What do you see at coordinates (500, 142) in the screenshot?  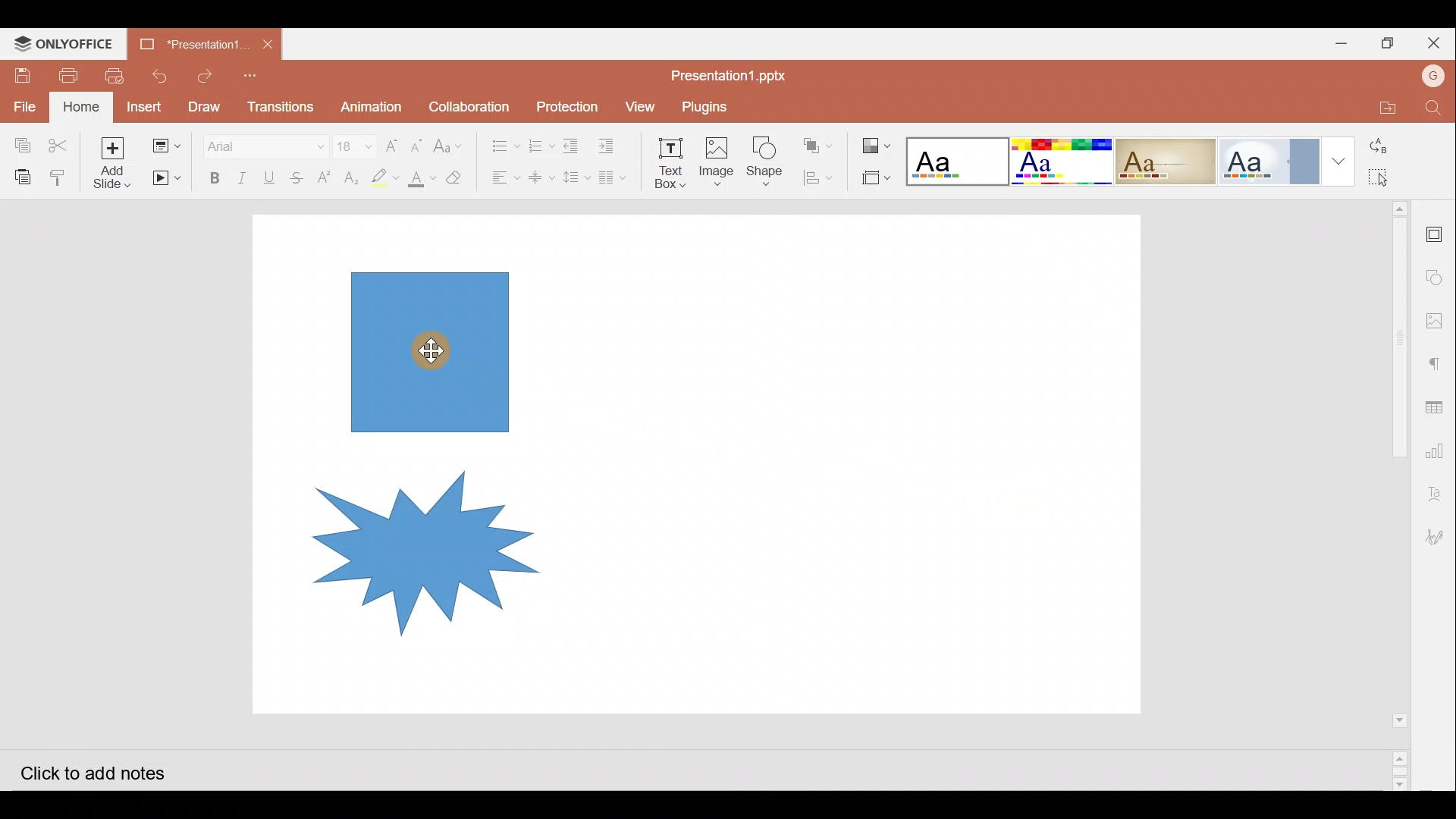 I see `Bullets` at bounding box center [500, 142].